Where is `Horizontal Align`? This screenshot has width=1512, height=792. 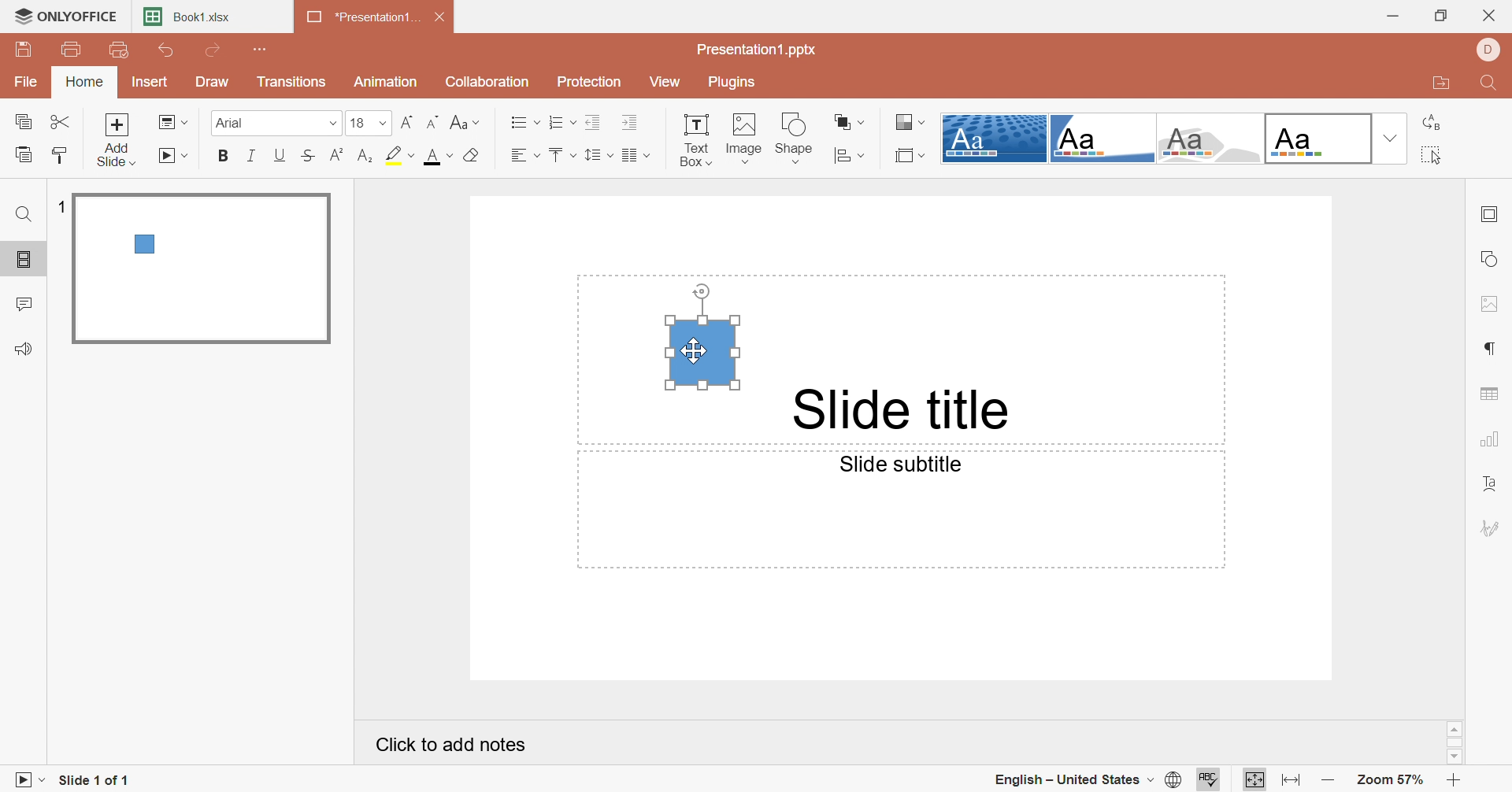
Horizontal Align is located at coordinates (522, 156).